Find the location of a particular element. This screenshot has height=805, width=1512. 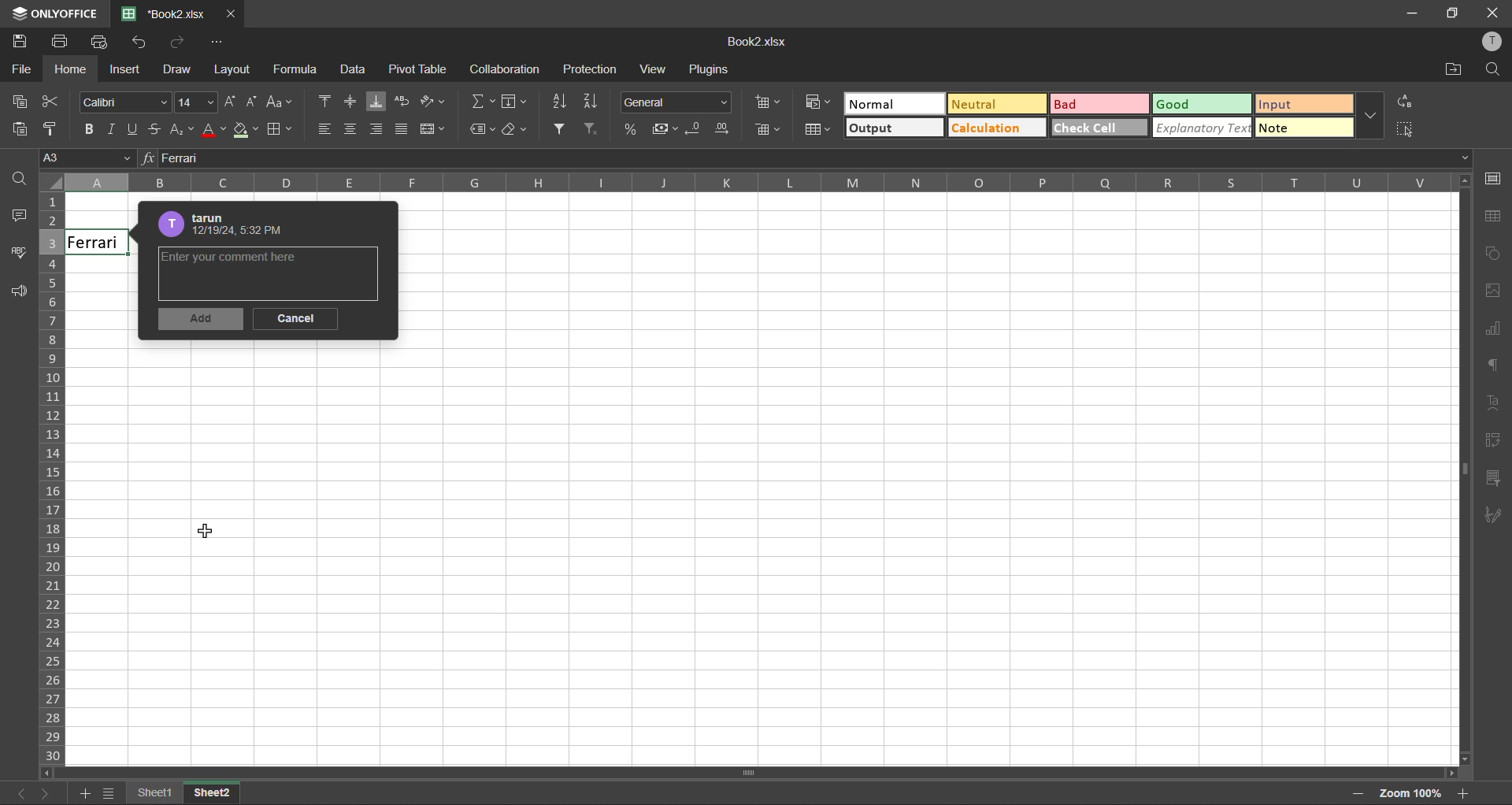

align bottom is located at coordinates (376, 101).